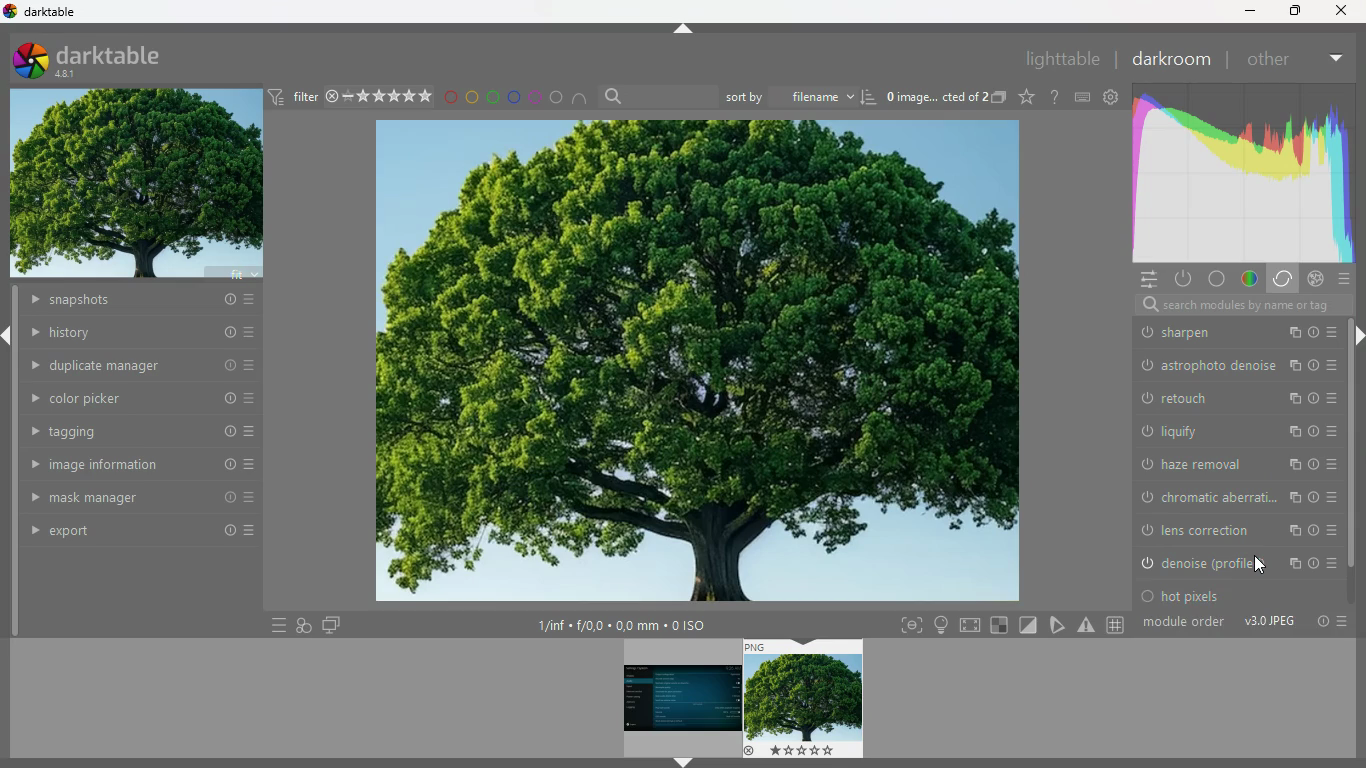 The width and height of the screenshot is (1366, 768). What do you see at coordinates (139, 334) in the screenshot?
I see `history` at bounding box center [139, 334].